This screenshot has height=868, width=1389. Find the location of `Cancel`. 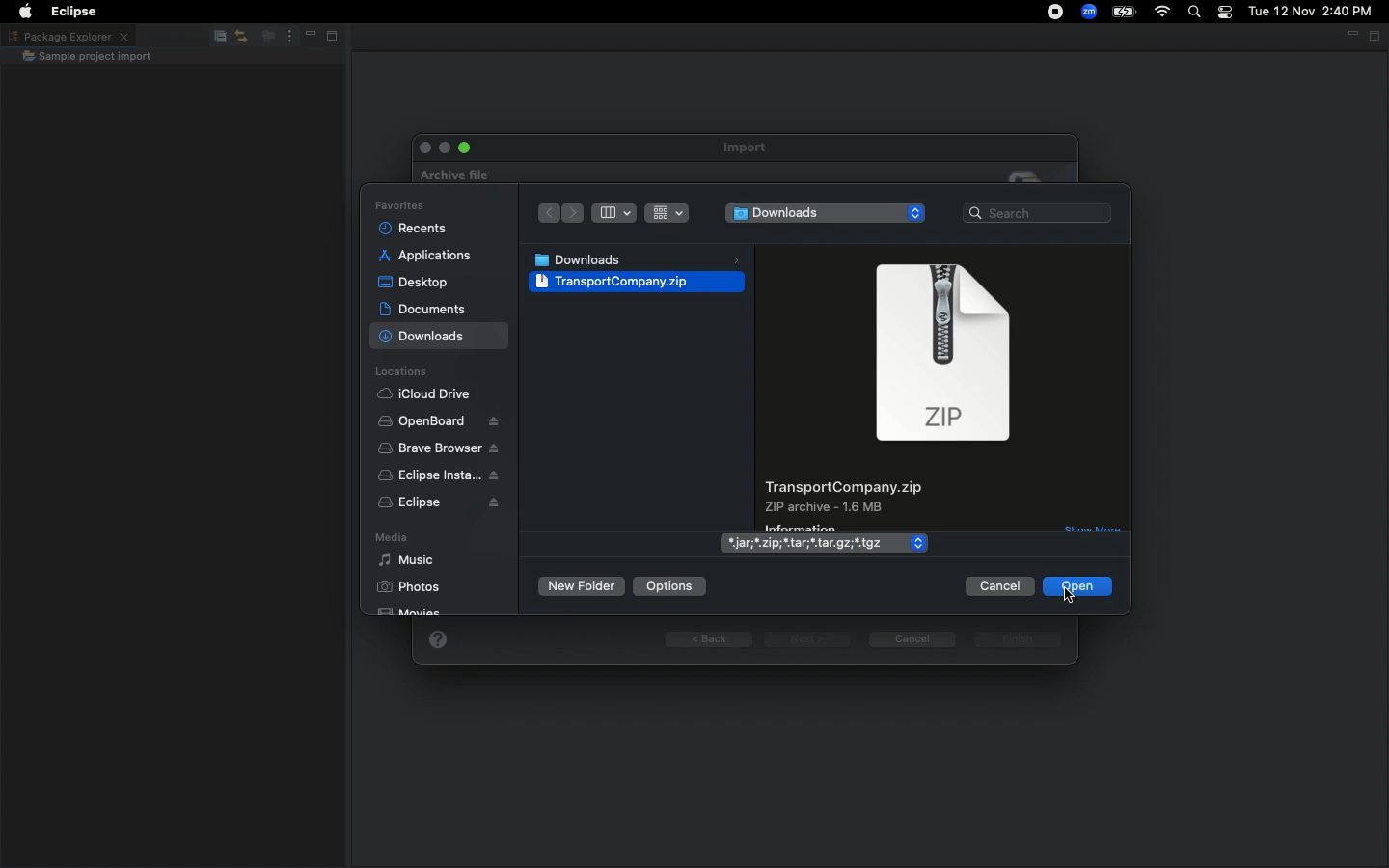

Cancel is located at coordinates (912, 638).